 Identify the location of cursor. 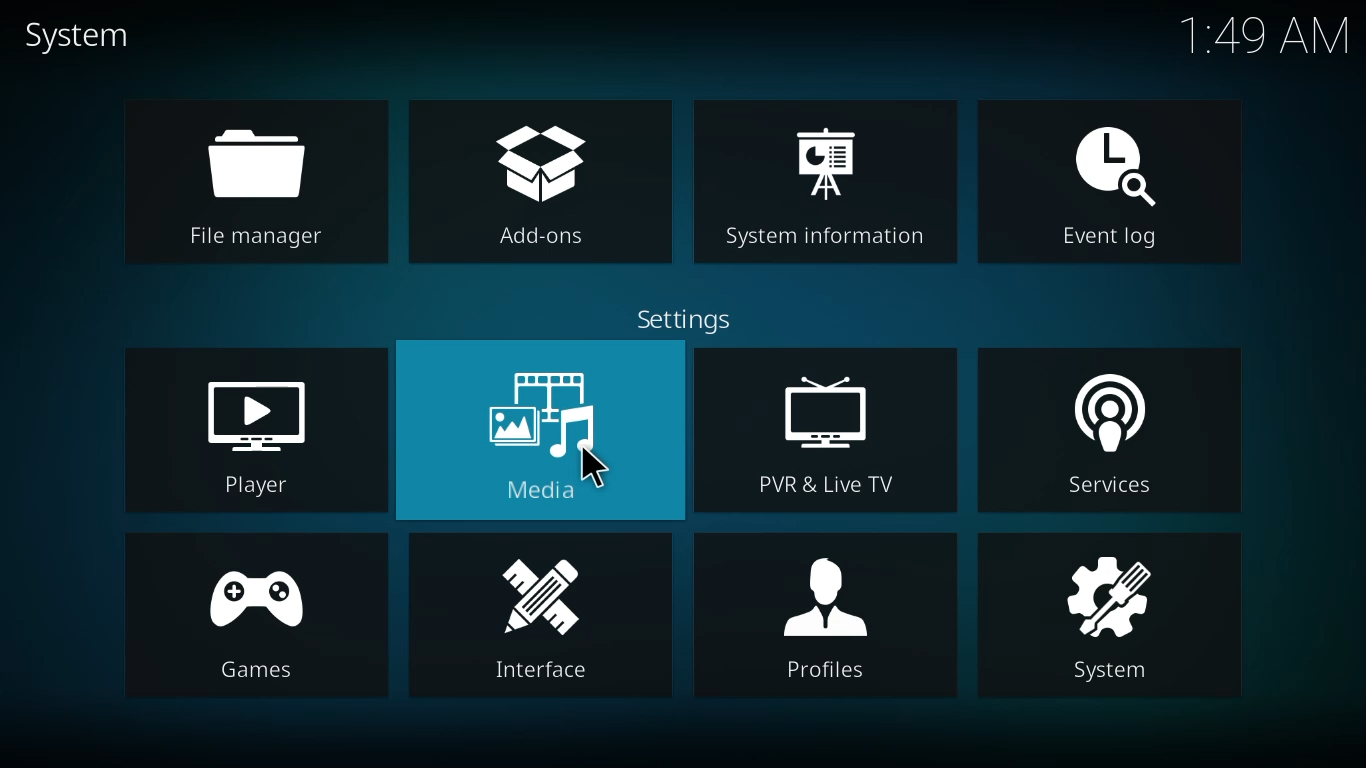
(595, 472).